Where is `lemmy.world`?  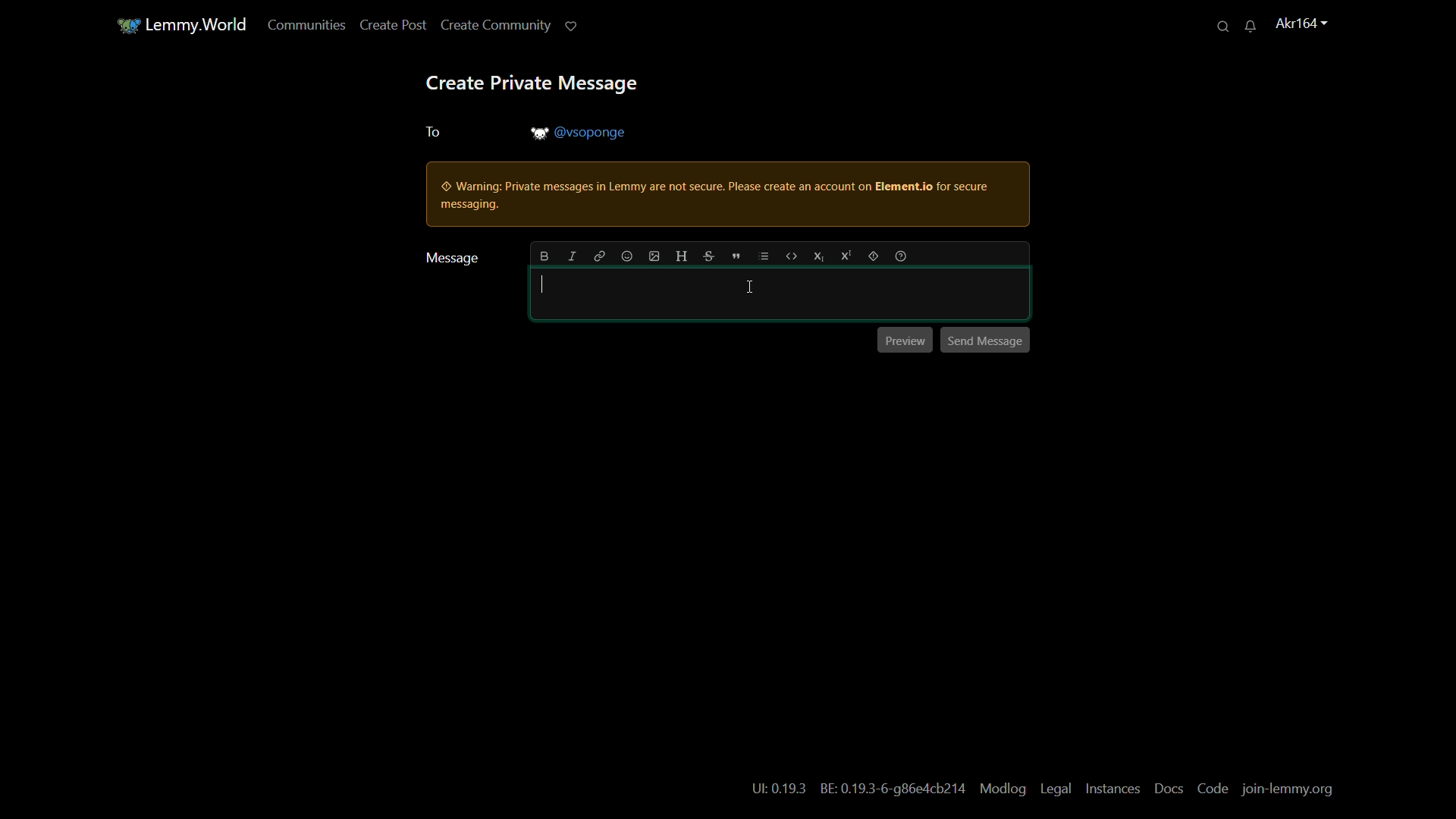
lemmy.world is located at coordinates (188, 24).